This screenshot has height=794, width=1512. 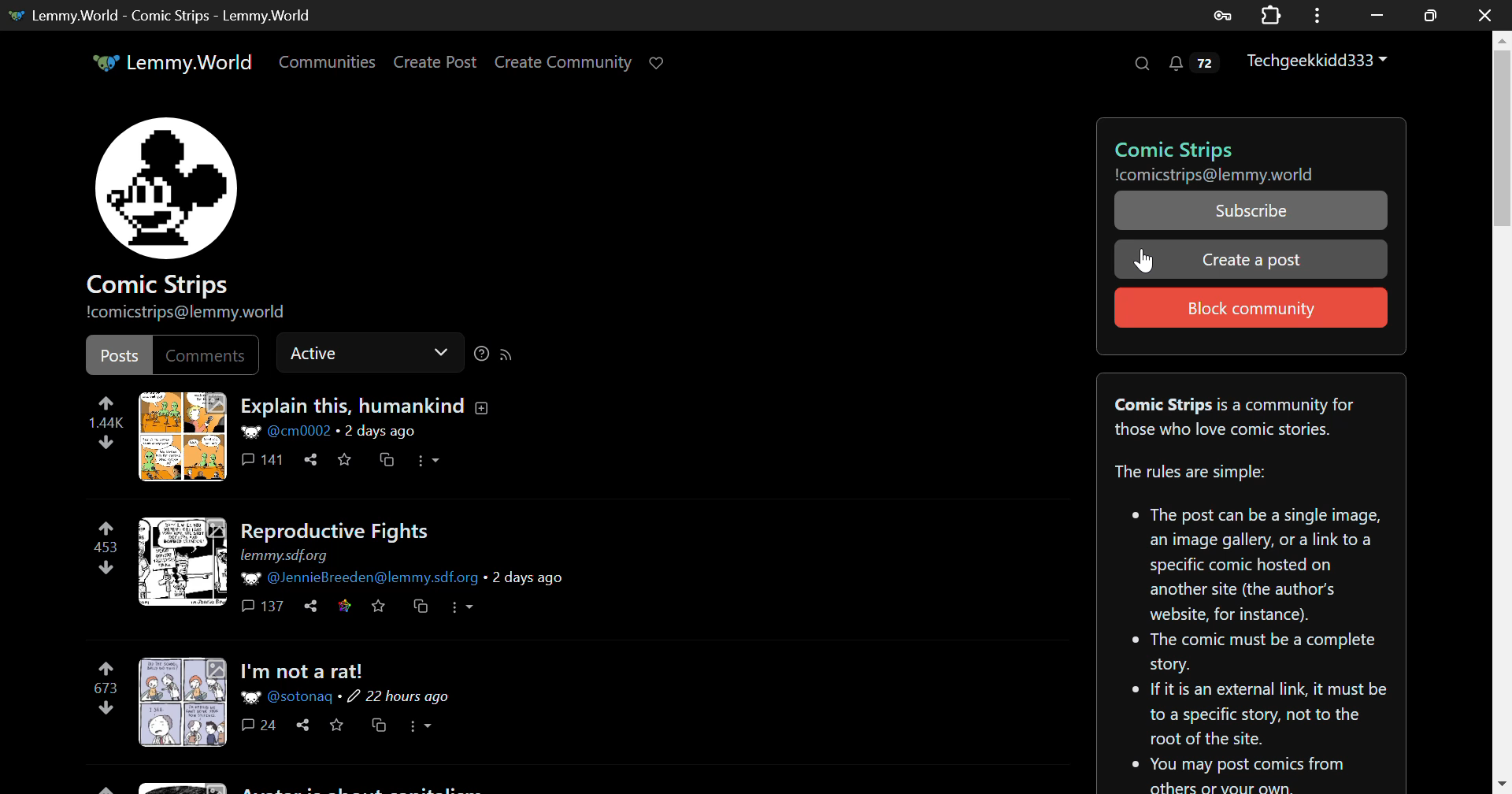 What do you see at coordinates (260, 726) in the screenshot?
I see `Comments` at bounding box center [260, 726].